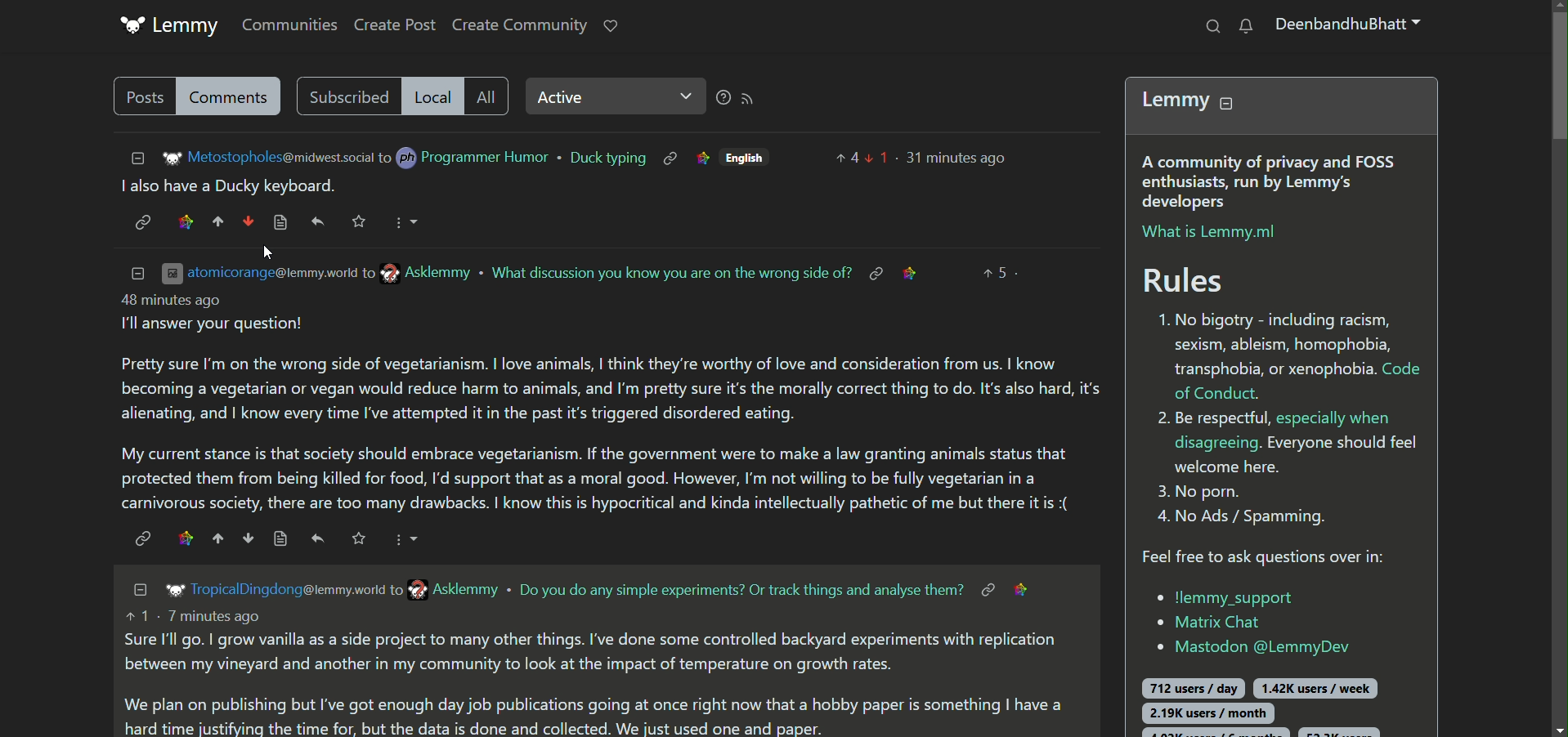 The width and height of the screenshot is (1568, 737). I want to click on lemmy support, so click(1225, 596).